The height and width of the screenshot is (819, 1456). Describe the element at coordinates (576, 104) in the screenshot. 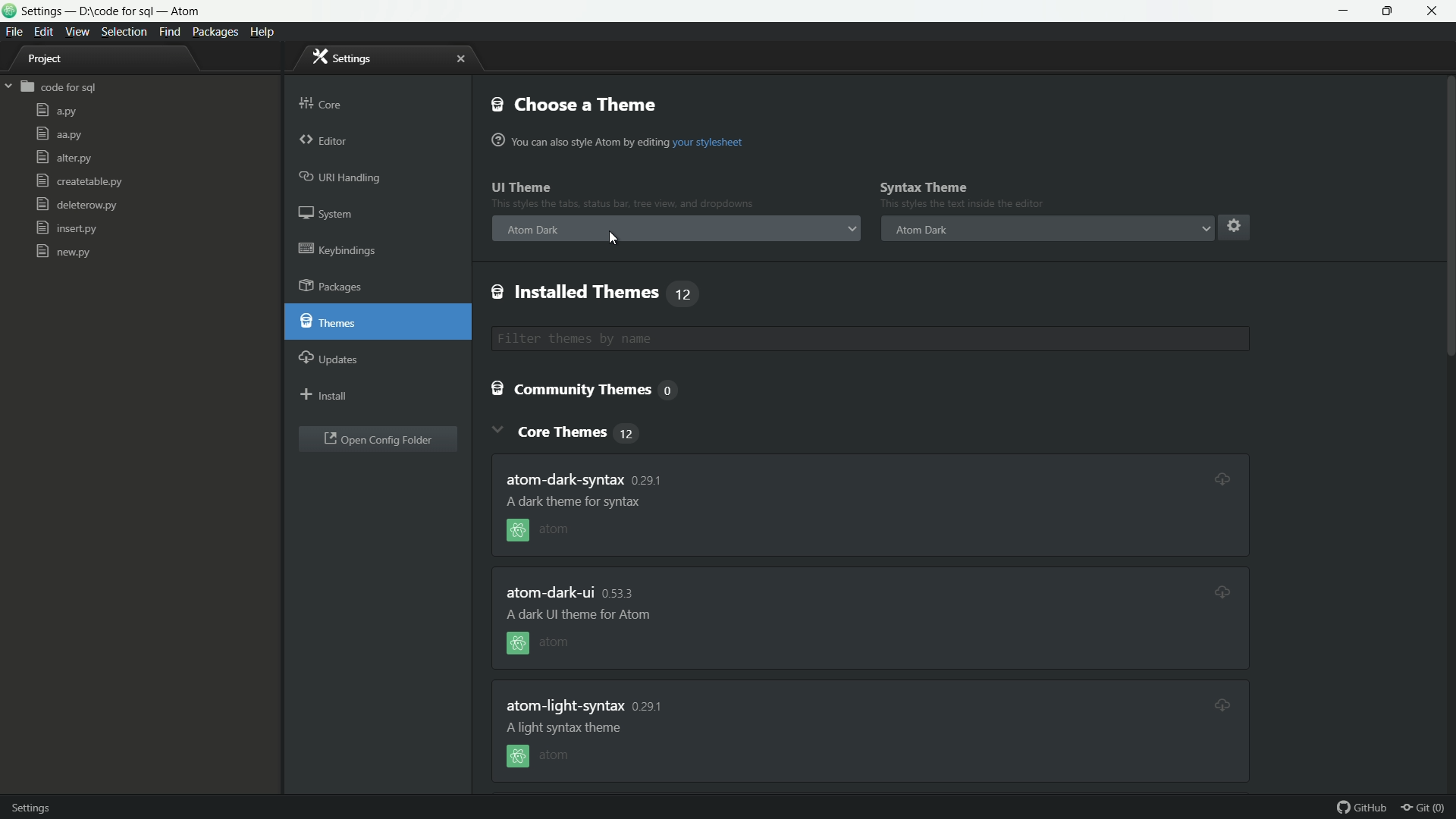

I see `choose a theme` at that location.